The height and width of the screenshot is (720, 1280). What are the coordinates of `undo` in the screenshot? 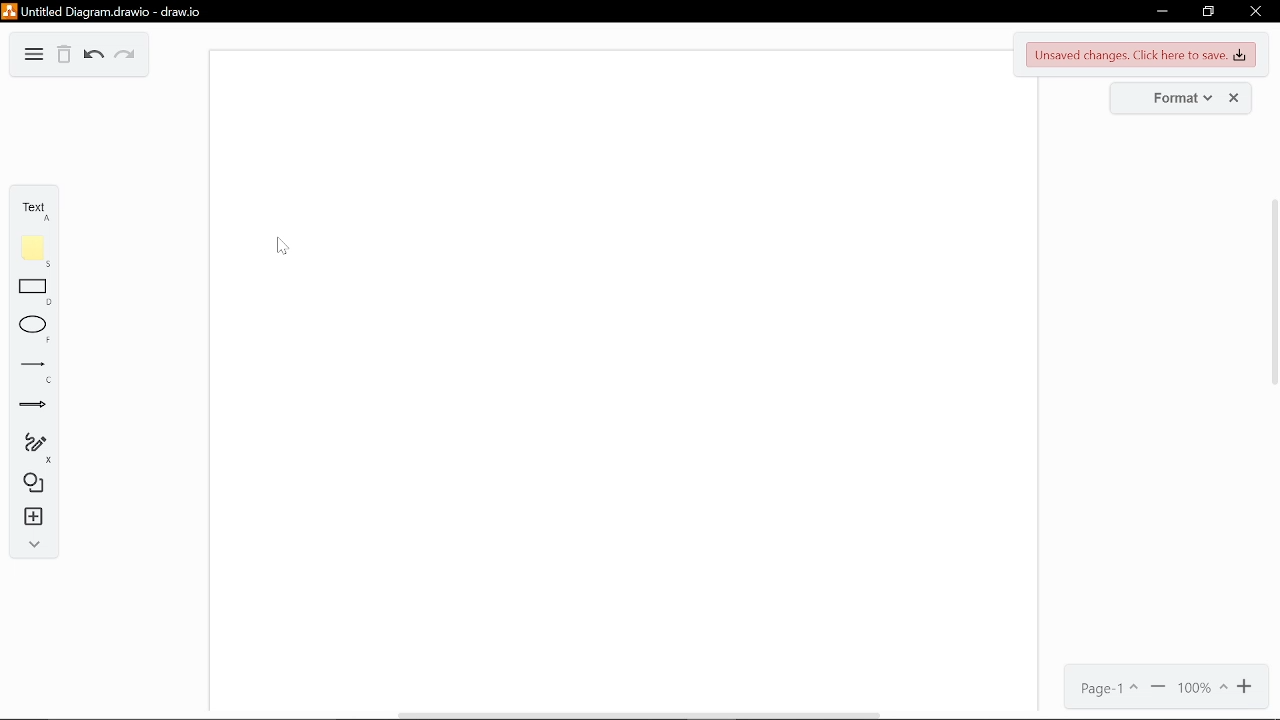 It's located at (94, 57).